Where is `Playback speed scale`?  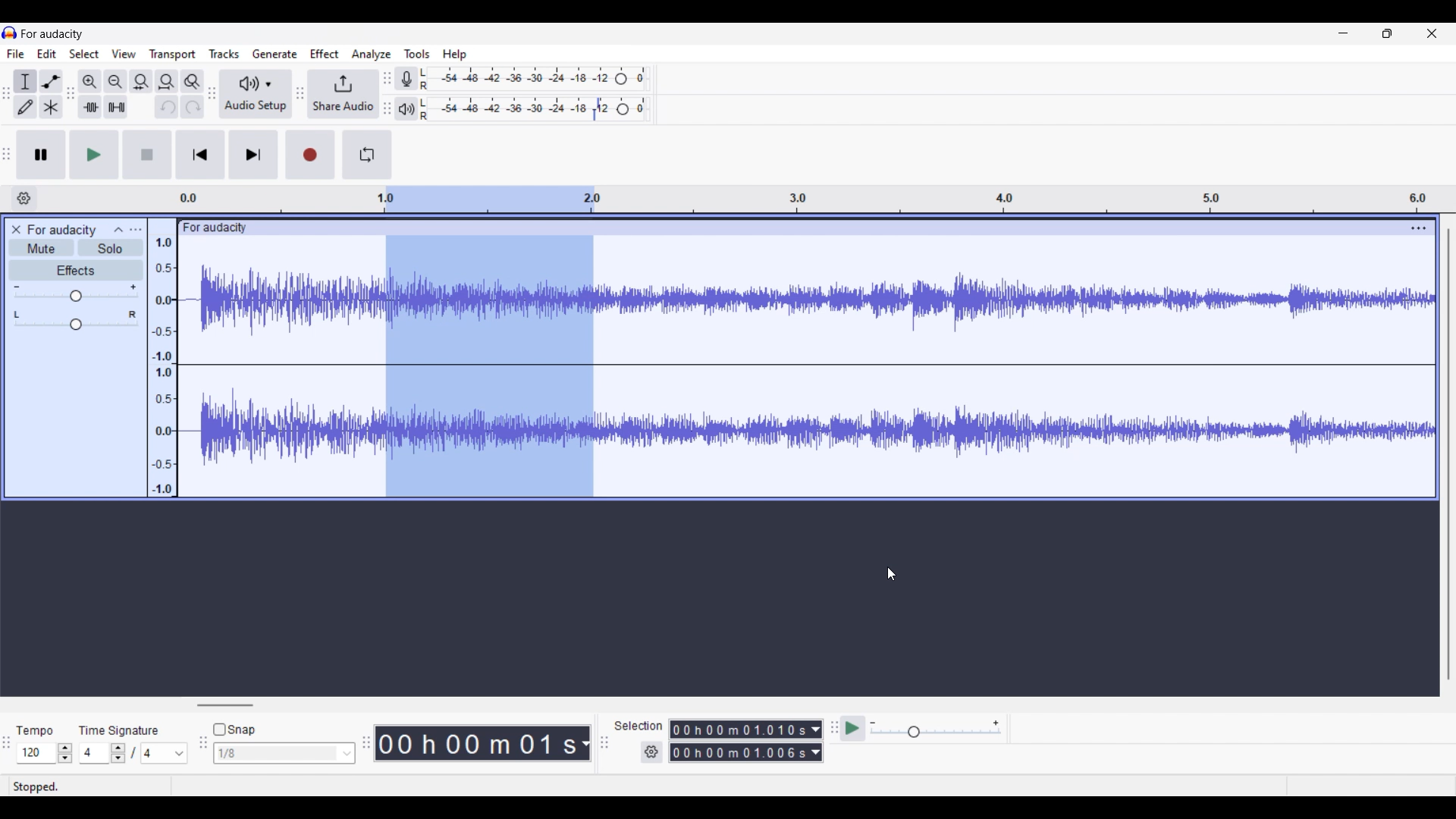 Playback speed scale is located at coordinates (935, 729).